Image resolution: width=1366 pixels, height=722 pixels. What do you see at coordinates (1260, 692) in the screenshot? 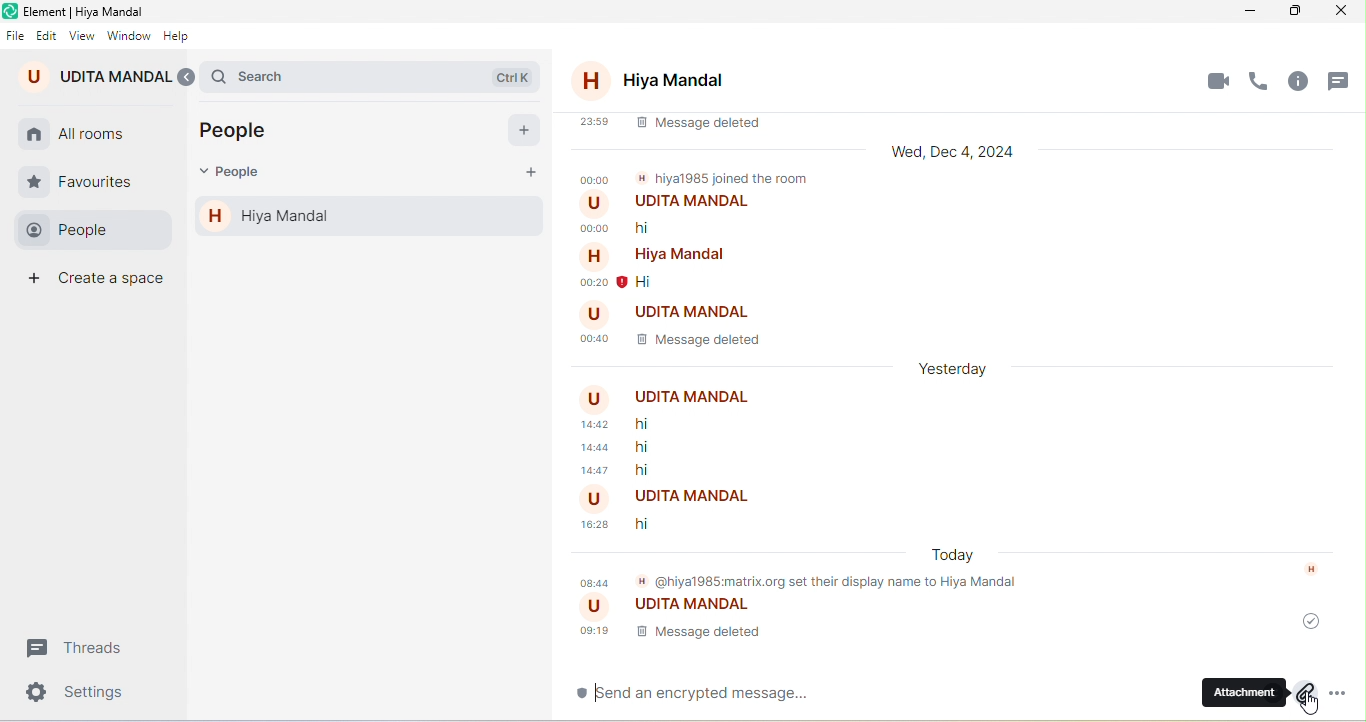
I see `attachment` at bounding box center [1260, 692].